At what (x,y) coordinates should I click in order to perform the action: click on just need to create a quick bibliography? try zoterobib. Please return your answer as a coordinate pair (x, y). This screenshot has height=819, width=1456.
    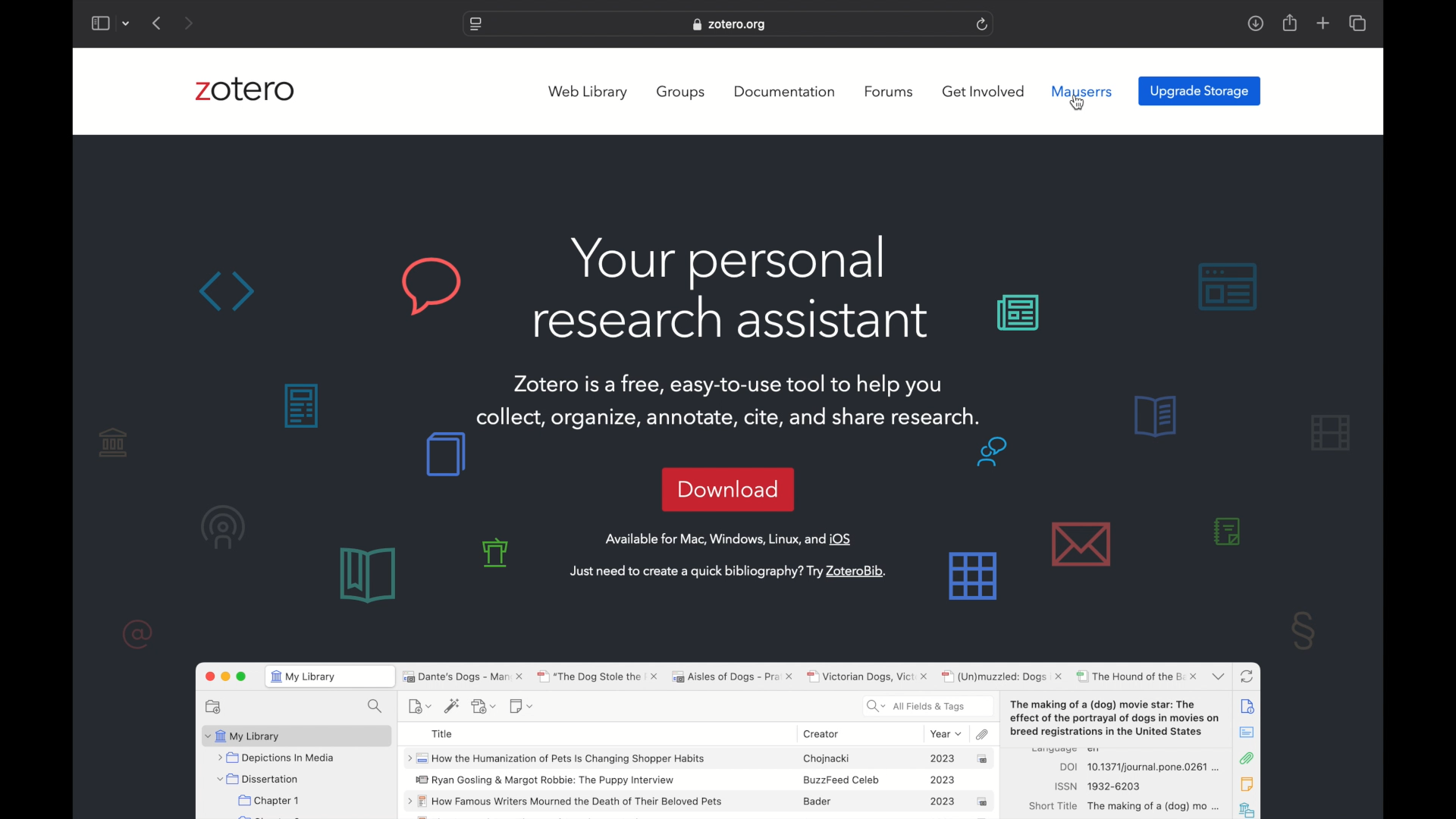
    Looking at the image, I should click on (726, 571).